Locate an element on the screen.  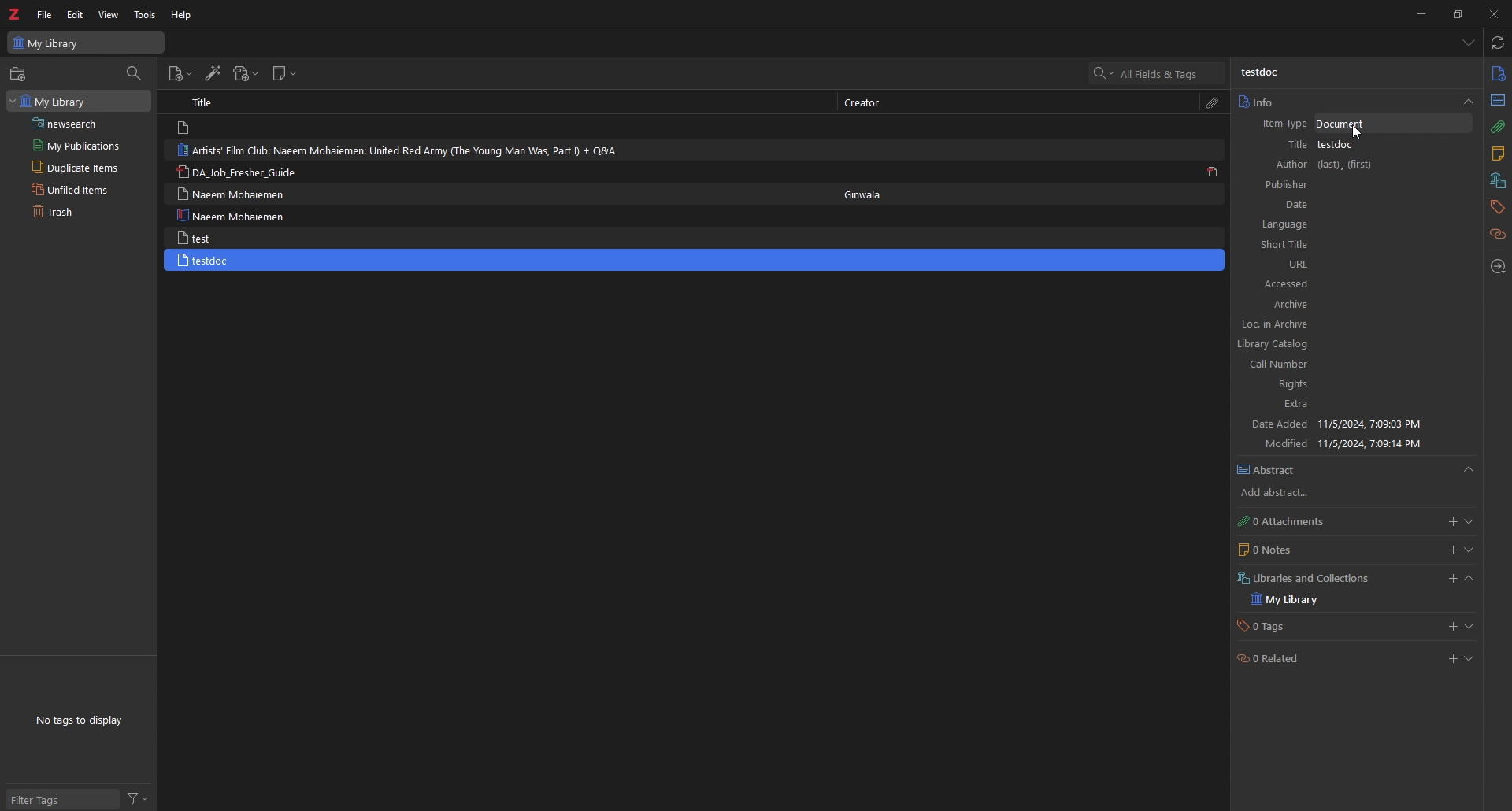
My Library is located at coordinates (79, 102).